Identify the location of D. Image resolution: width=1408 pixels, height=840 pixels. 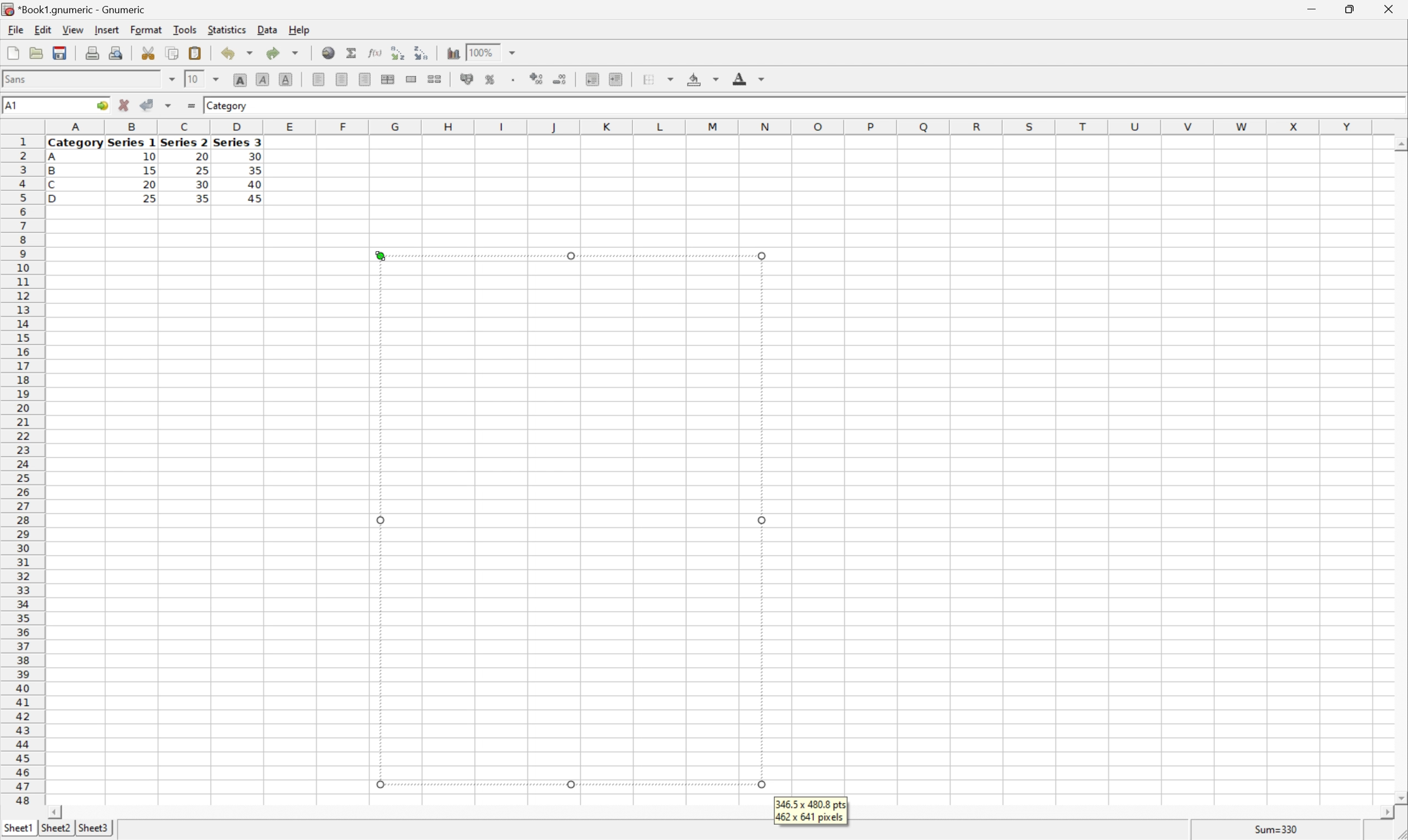
(58, 199).